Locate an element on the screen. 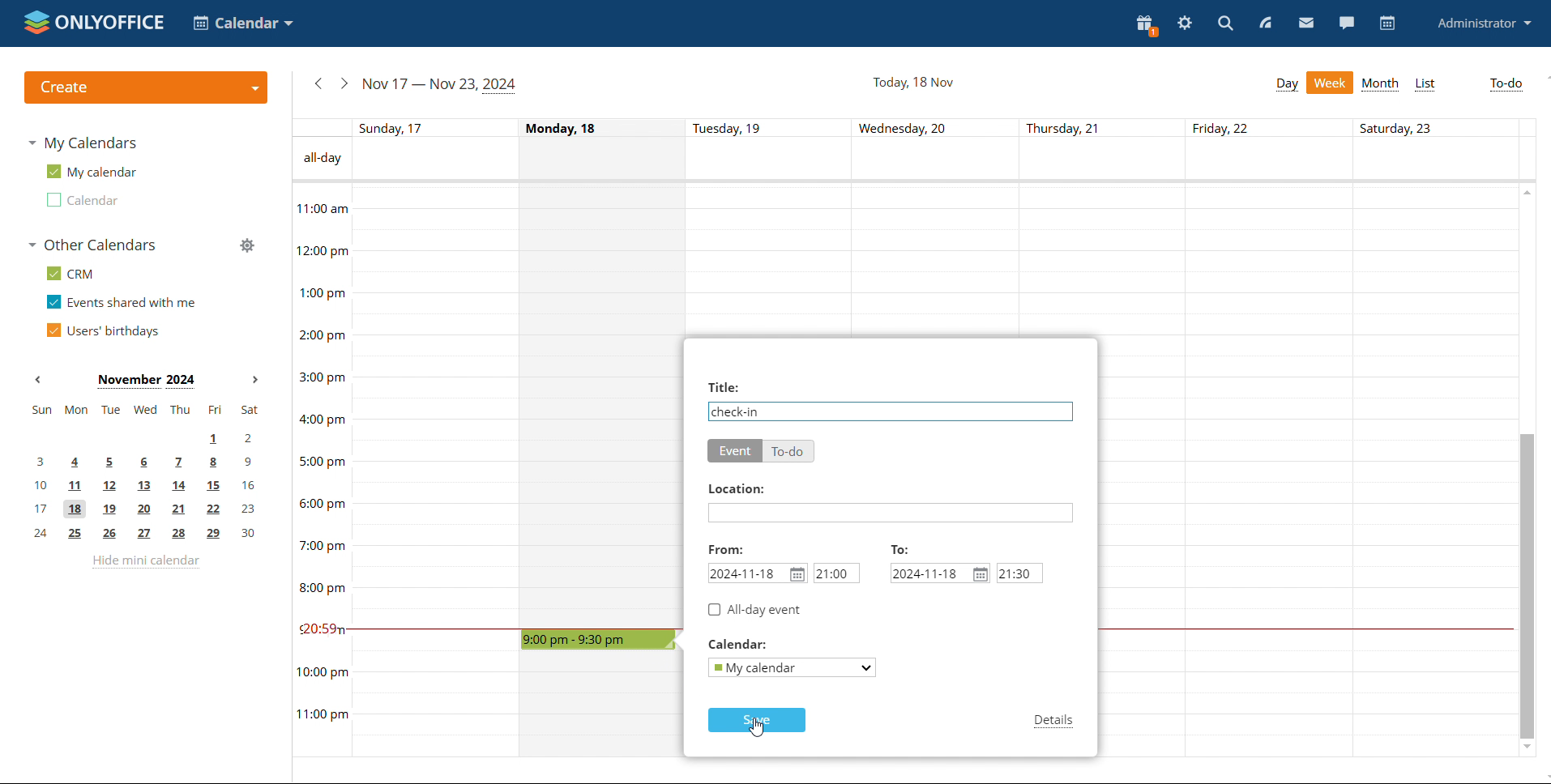 The width and height of the screenshot is (1551, 784). manage is located at coordinates (247, 244).